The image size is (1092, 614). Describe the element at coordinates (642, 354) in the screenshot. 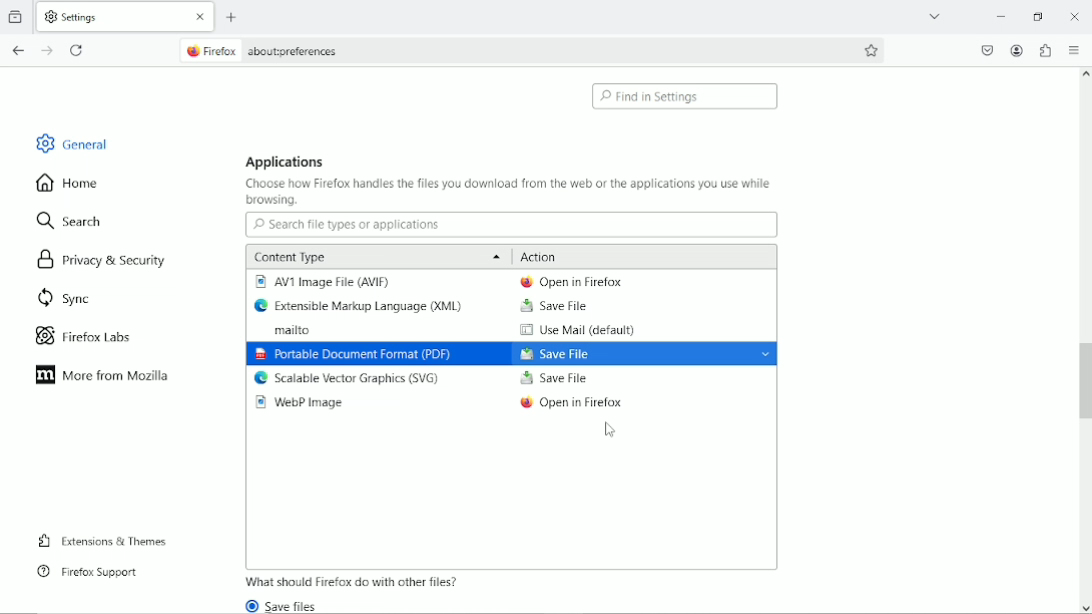

I see `save  File` at that location.